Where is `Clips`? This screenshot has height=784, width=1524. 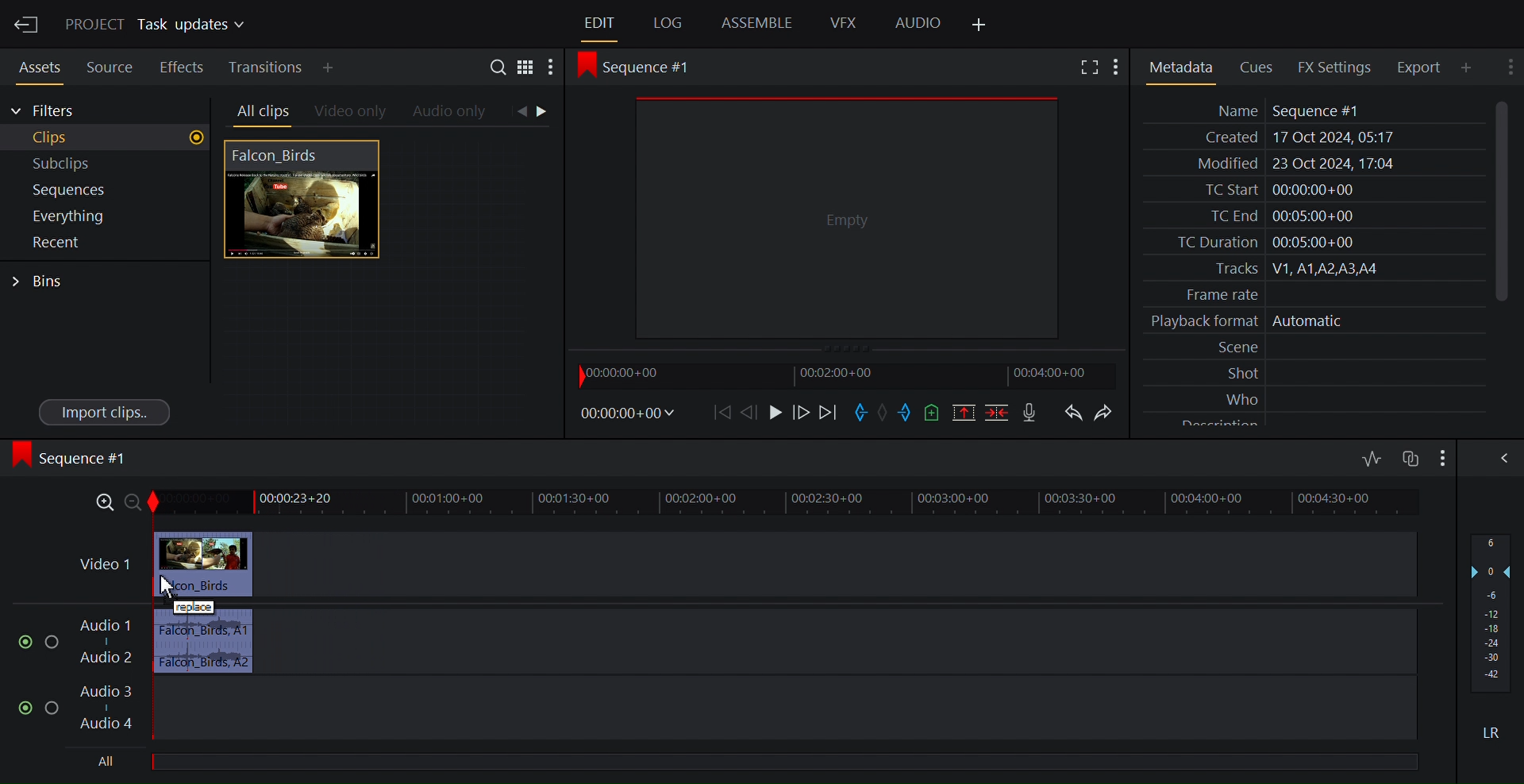 Clips is located at coordinates (106, 138).